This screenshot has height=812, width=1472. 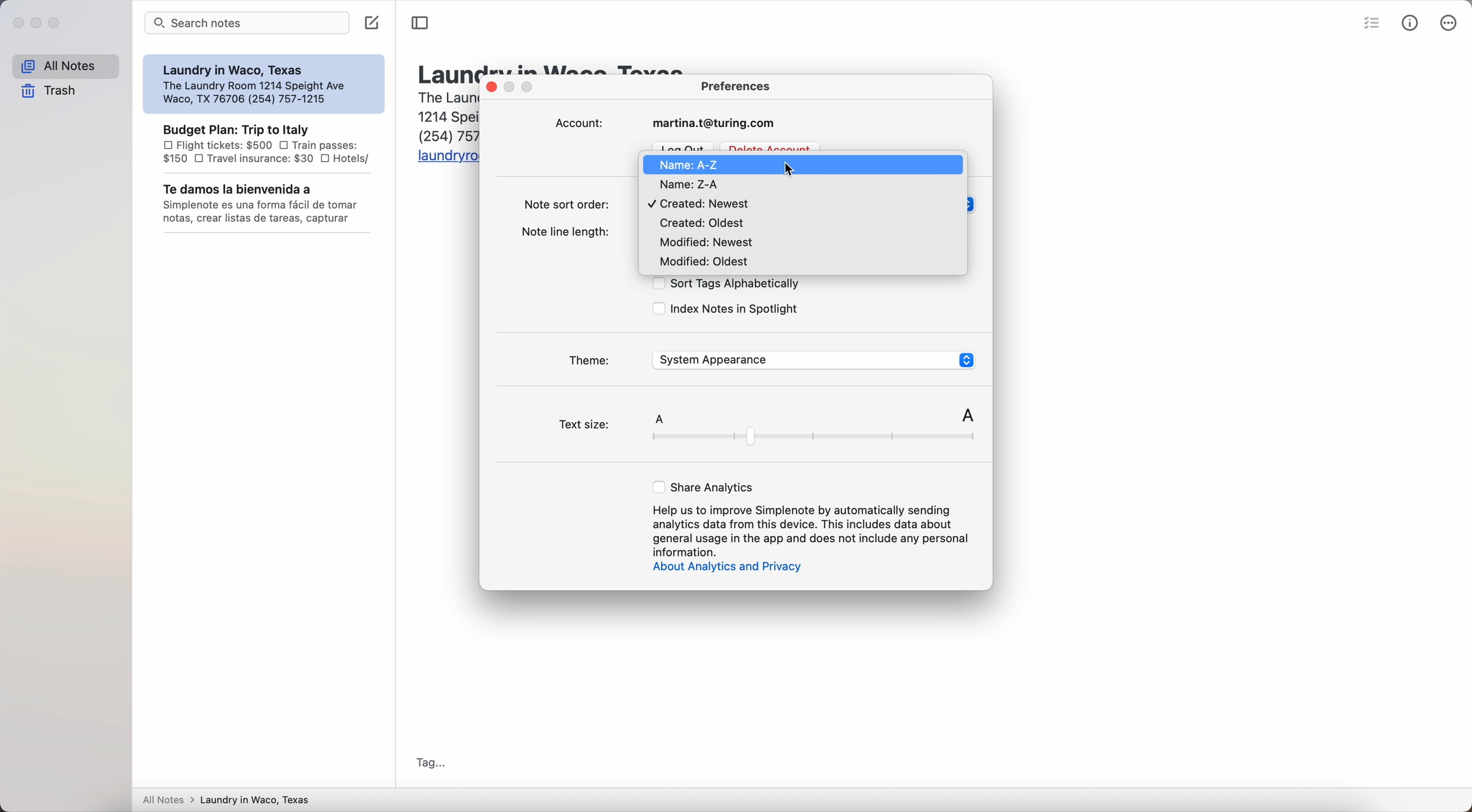 I want to click on Name: Z-A, so click(x=690, y=186).